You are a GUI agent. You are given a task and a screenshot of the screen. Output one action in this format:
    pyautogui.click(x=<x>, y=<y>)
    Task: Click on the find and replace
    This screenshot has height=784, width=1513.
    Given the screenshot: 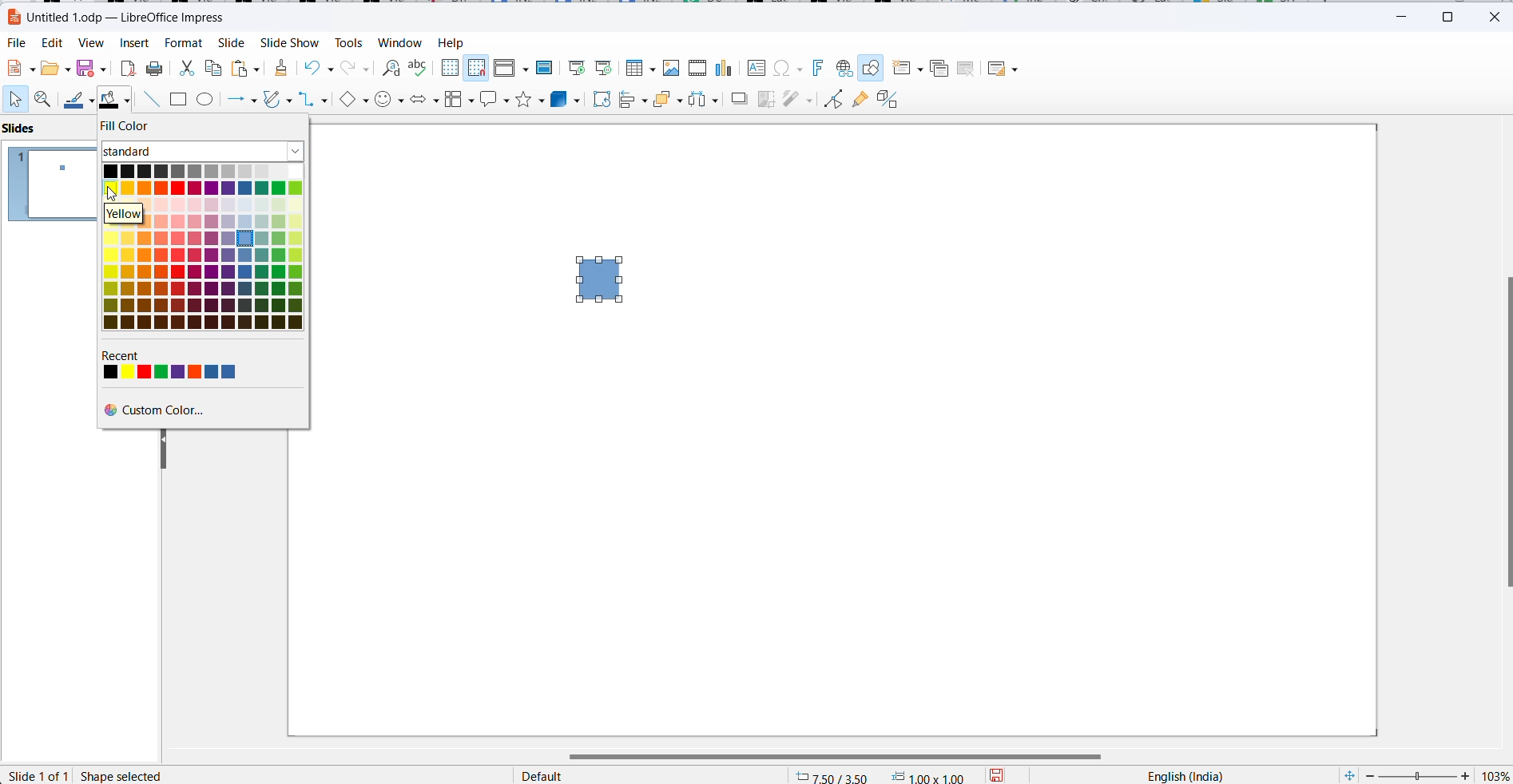 What is the action you would take?
    pyautogui.click(x=389, y=66)
    